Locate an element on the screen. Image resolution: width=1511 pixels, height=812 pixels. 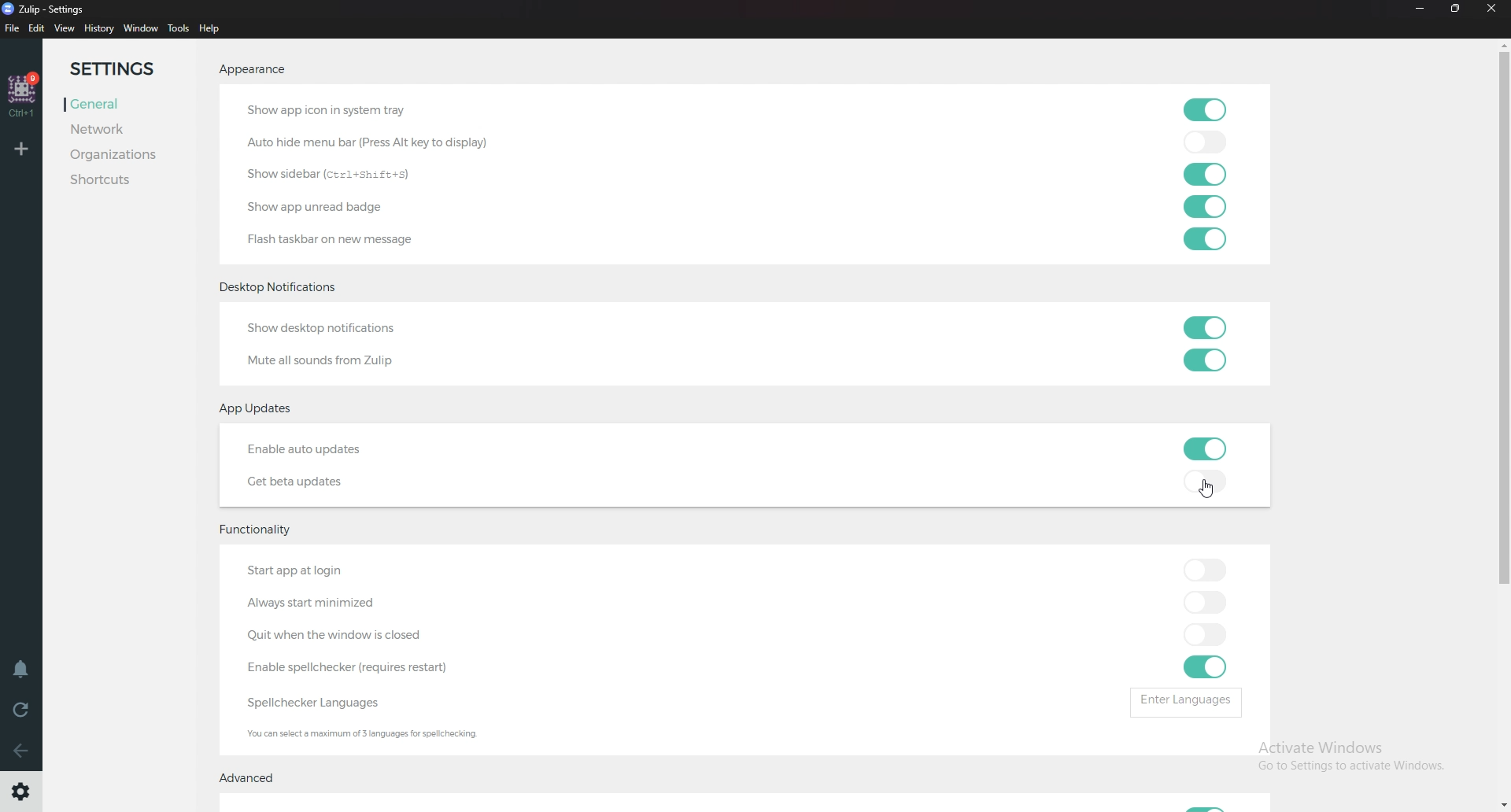
Add Workspace is located at coordinates (21, 150).